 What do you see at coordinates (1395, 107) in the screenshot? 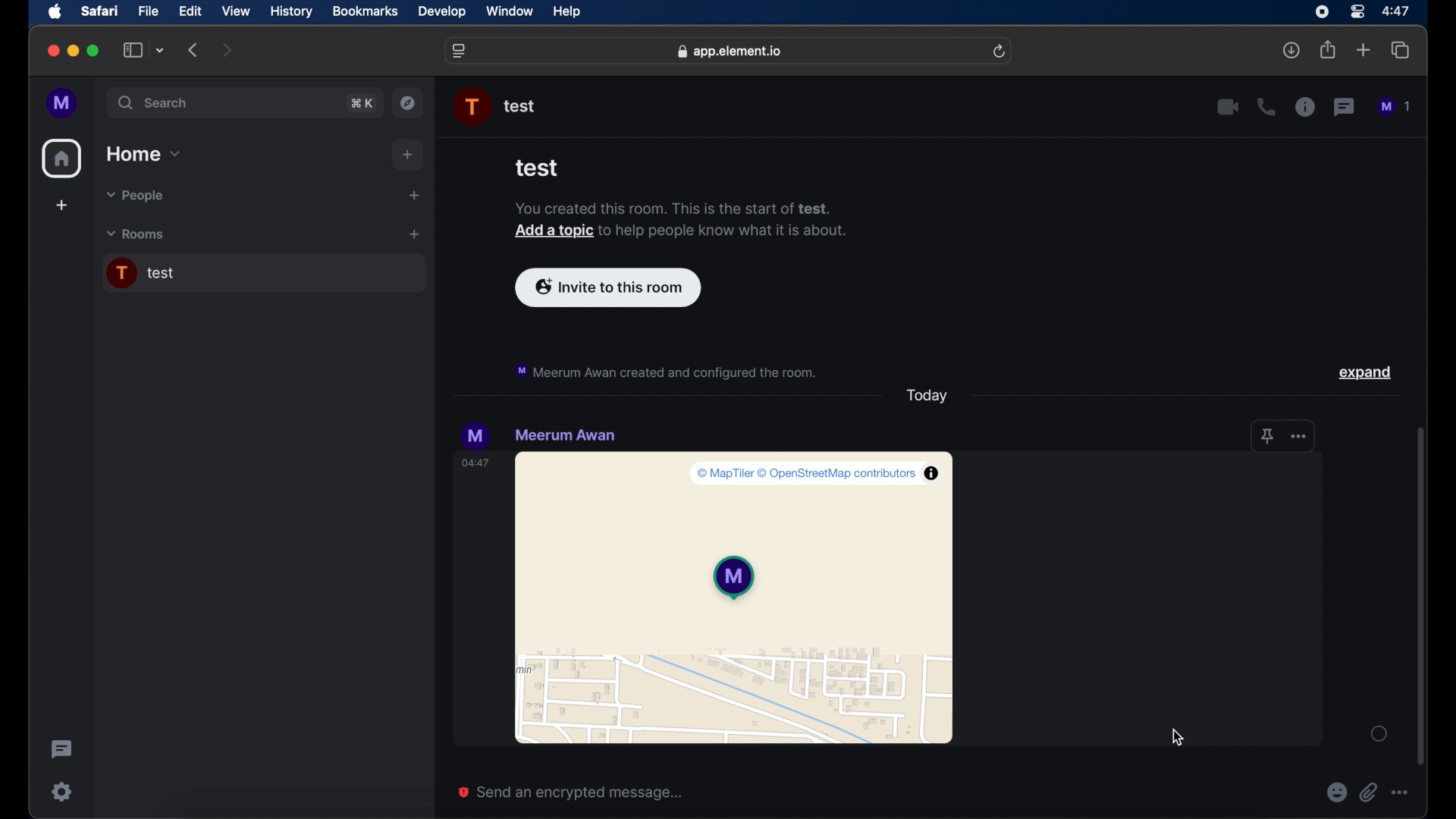
I see `messages` at bounding box center [1395, 107].